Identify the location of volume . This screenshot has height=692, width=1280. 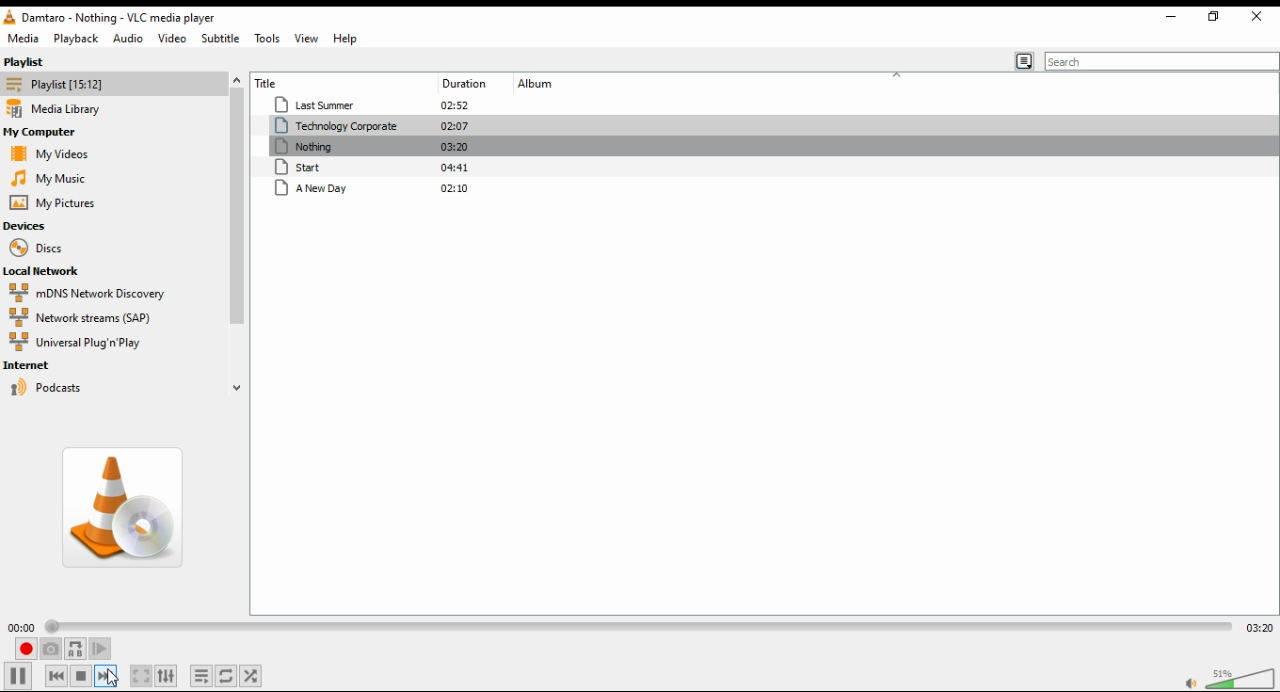
(1244, 678).